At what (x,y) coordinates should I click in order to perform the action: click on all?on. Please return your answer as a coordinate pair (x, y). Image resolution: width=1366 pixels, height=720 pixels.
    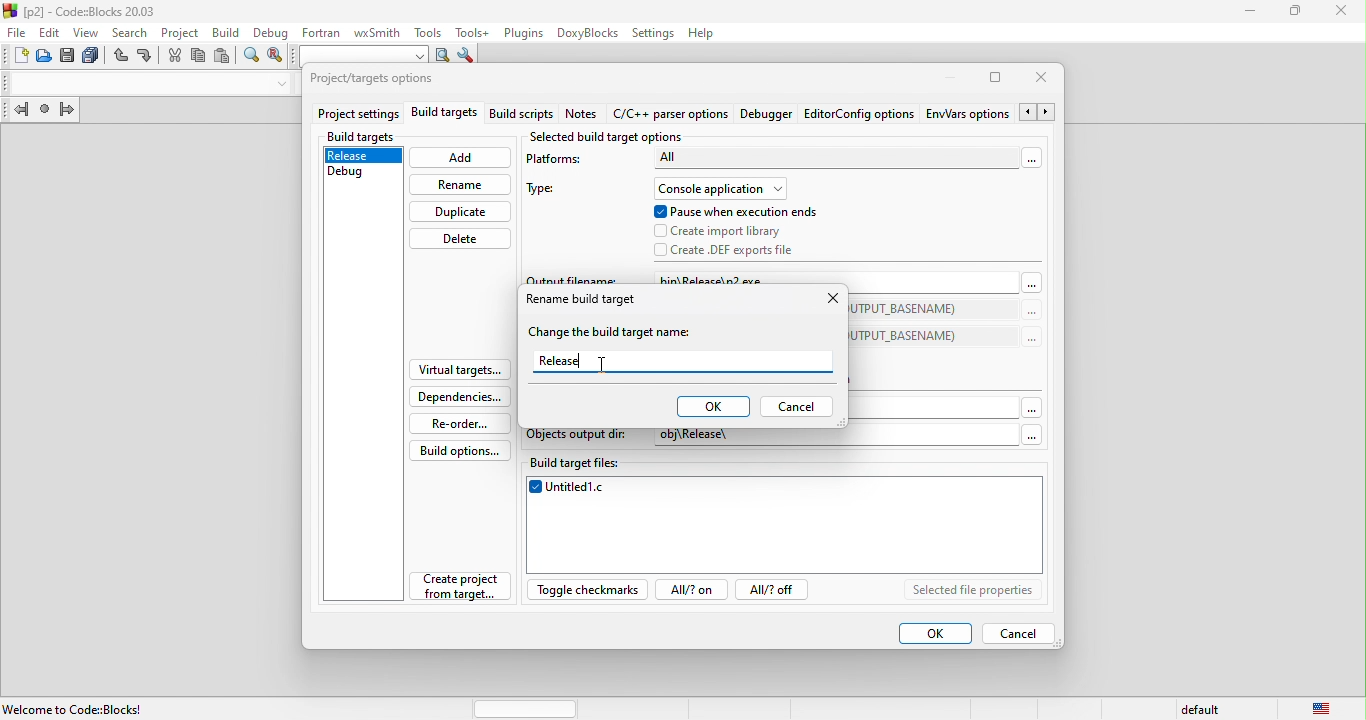
    Looking at the image, I should click on (694, 590).